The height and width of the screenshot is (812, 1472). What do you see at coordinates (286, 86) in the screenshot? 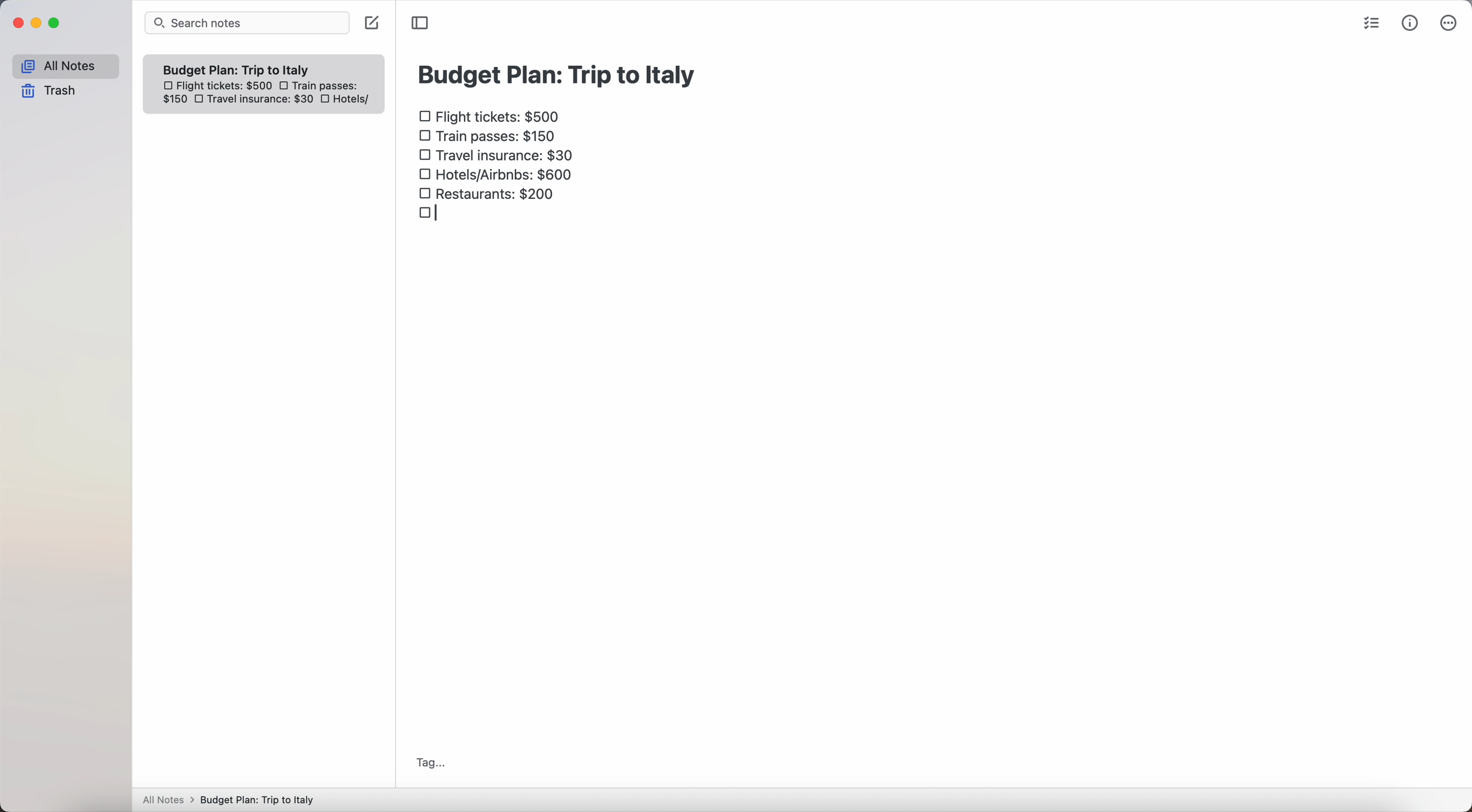
I see `checkbox` at bounding box center [286, 86].